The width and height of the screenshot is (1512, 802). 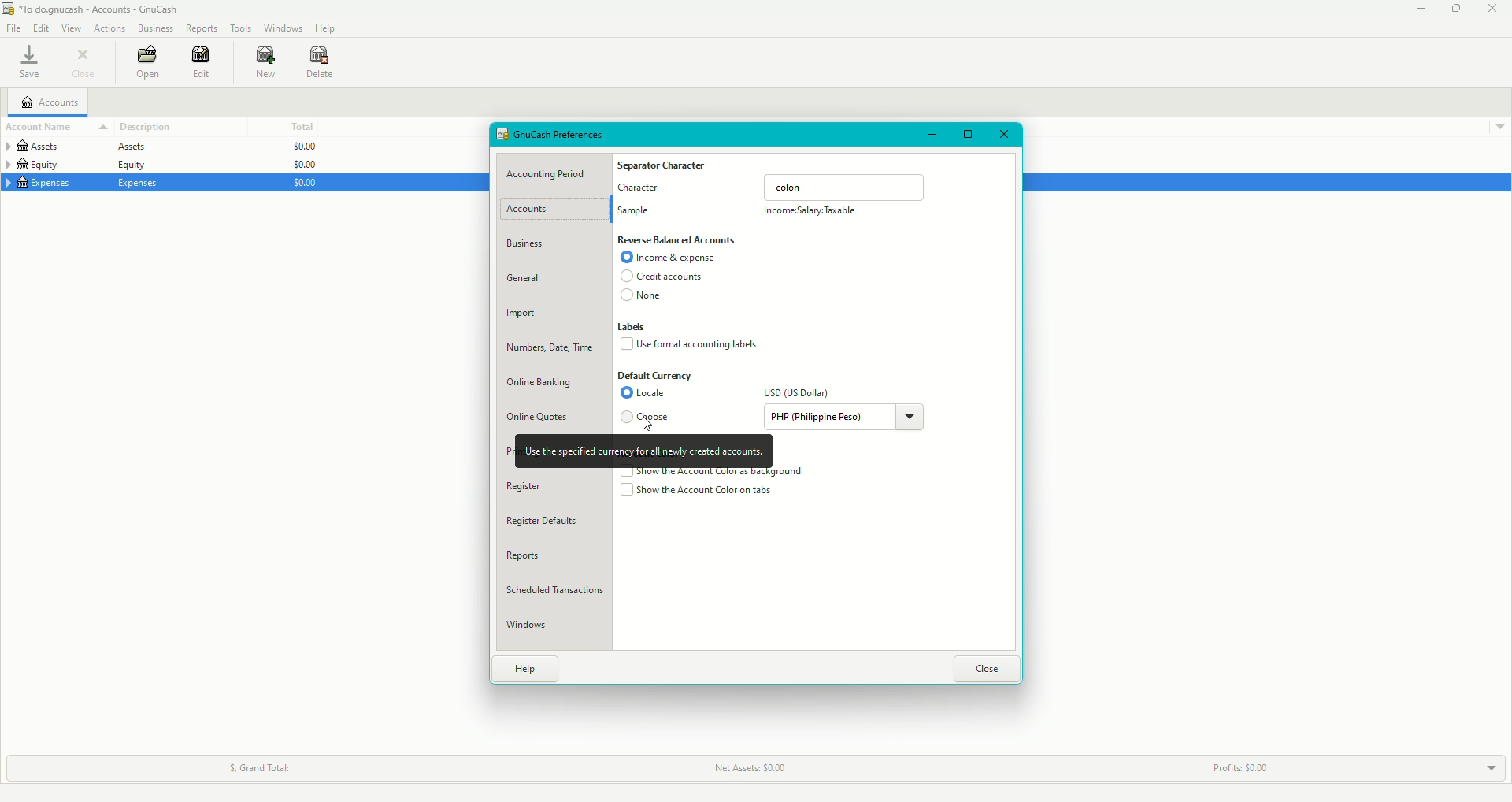 What do you see at coordinates (987, 670) in the screenshot?
I see `Close` at bounding box center [987, 670].